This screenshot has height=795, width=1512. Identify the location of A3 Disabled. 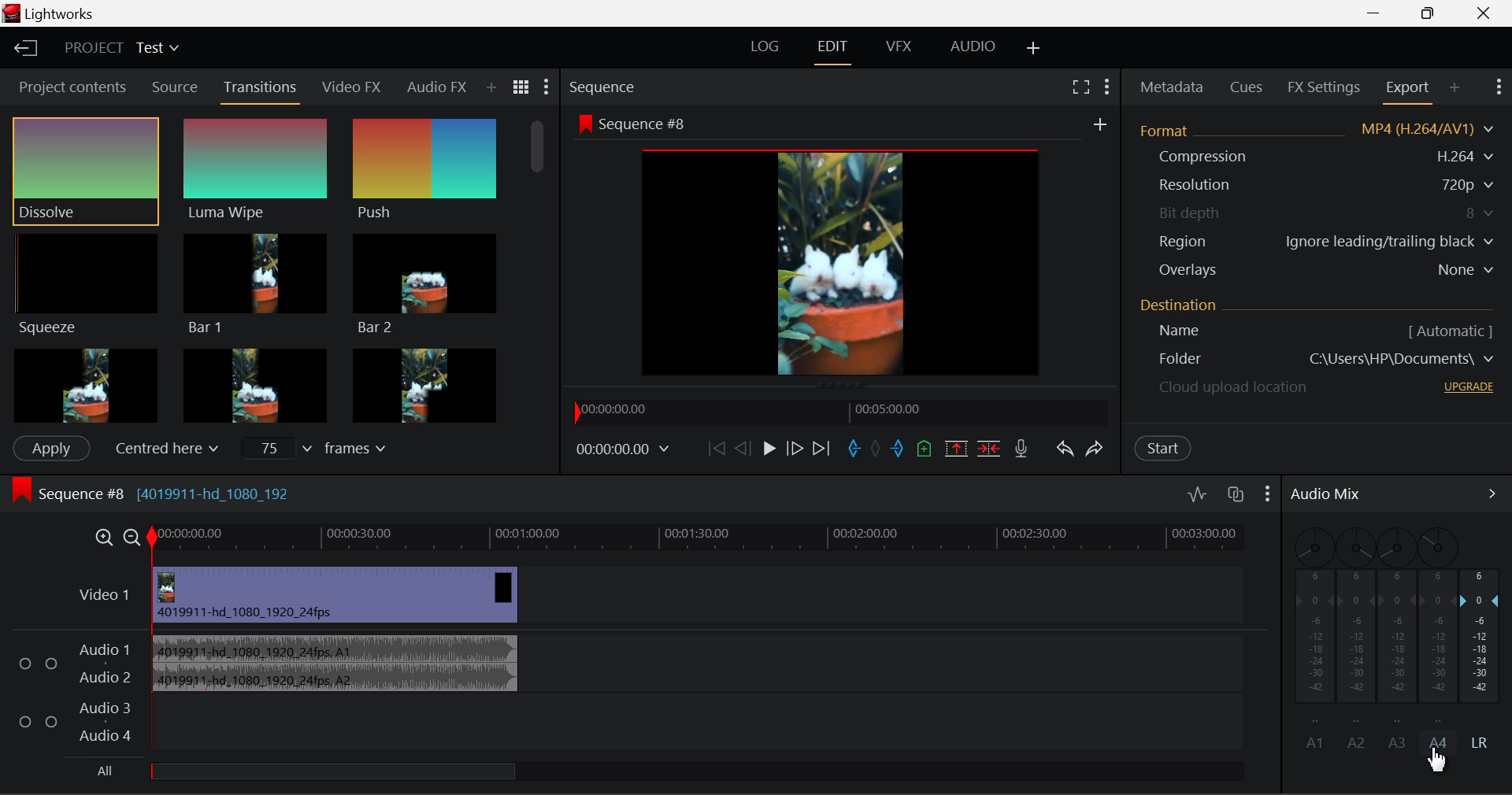
(1392, 641).